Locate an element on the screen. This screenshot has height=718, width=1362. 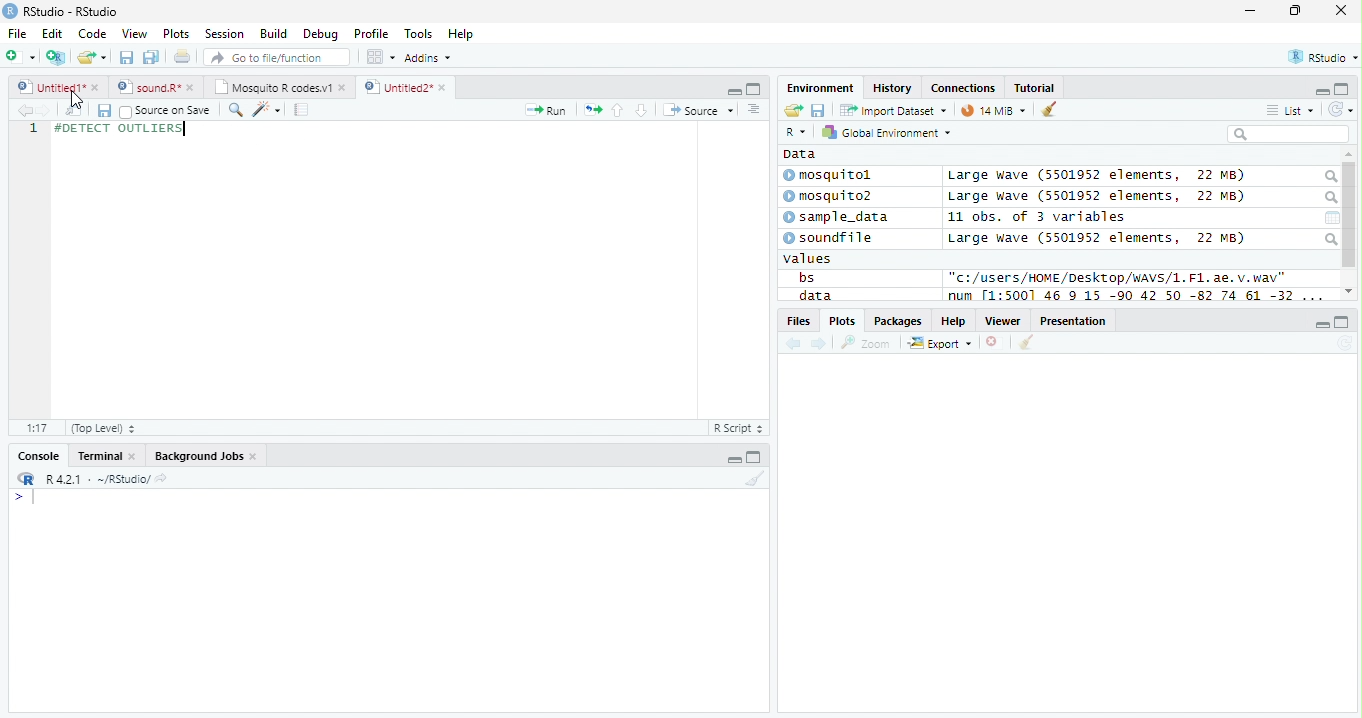
search bar is located at coordinates (1288, 133).